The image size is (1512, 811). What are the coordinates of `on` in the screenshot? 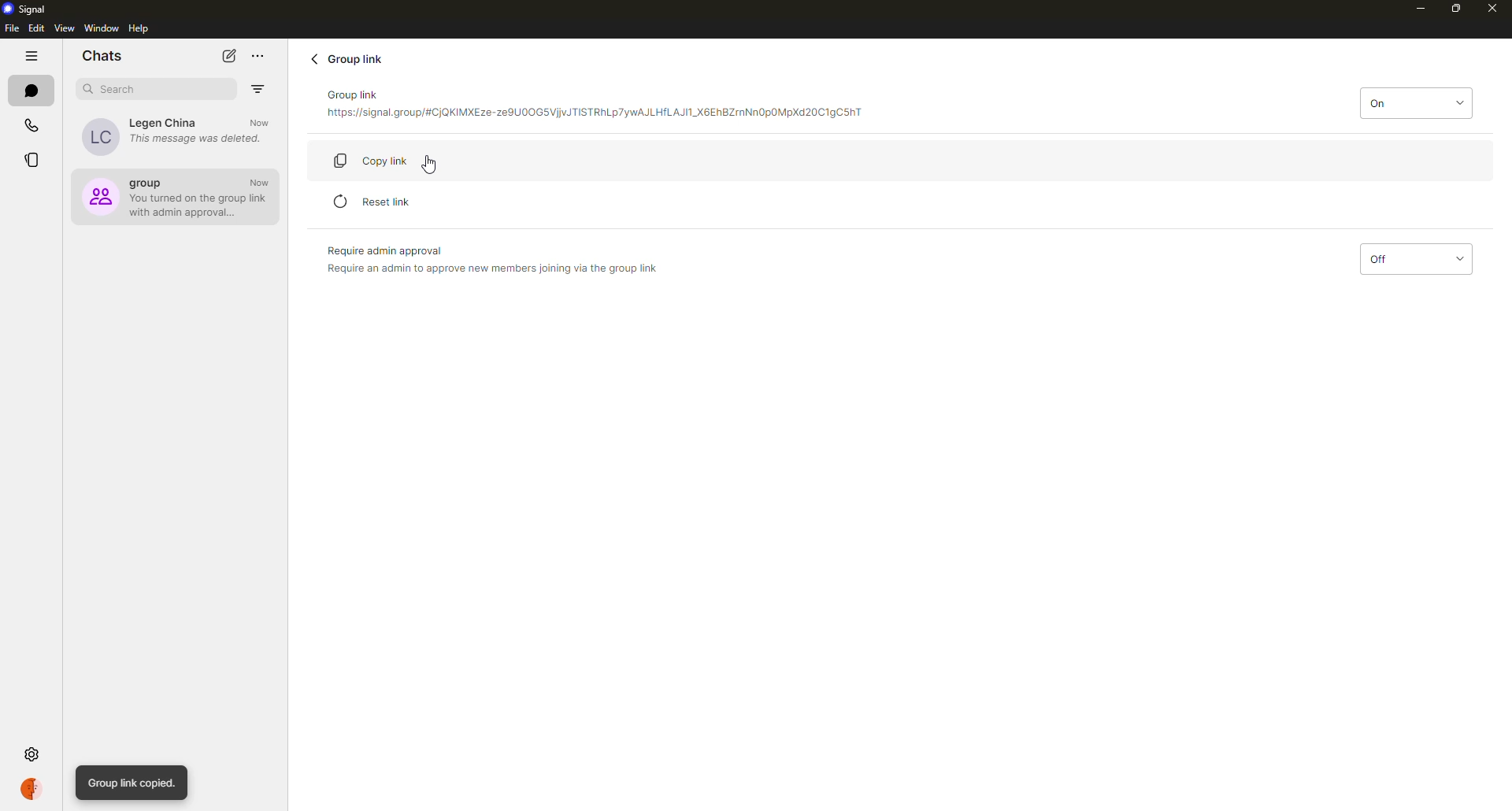 It's located at (1415, 102).